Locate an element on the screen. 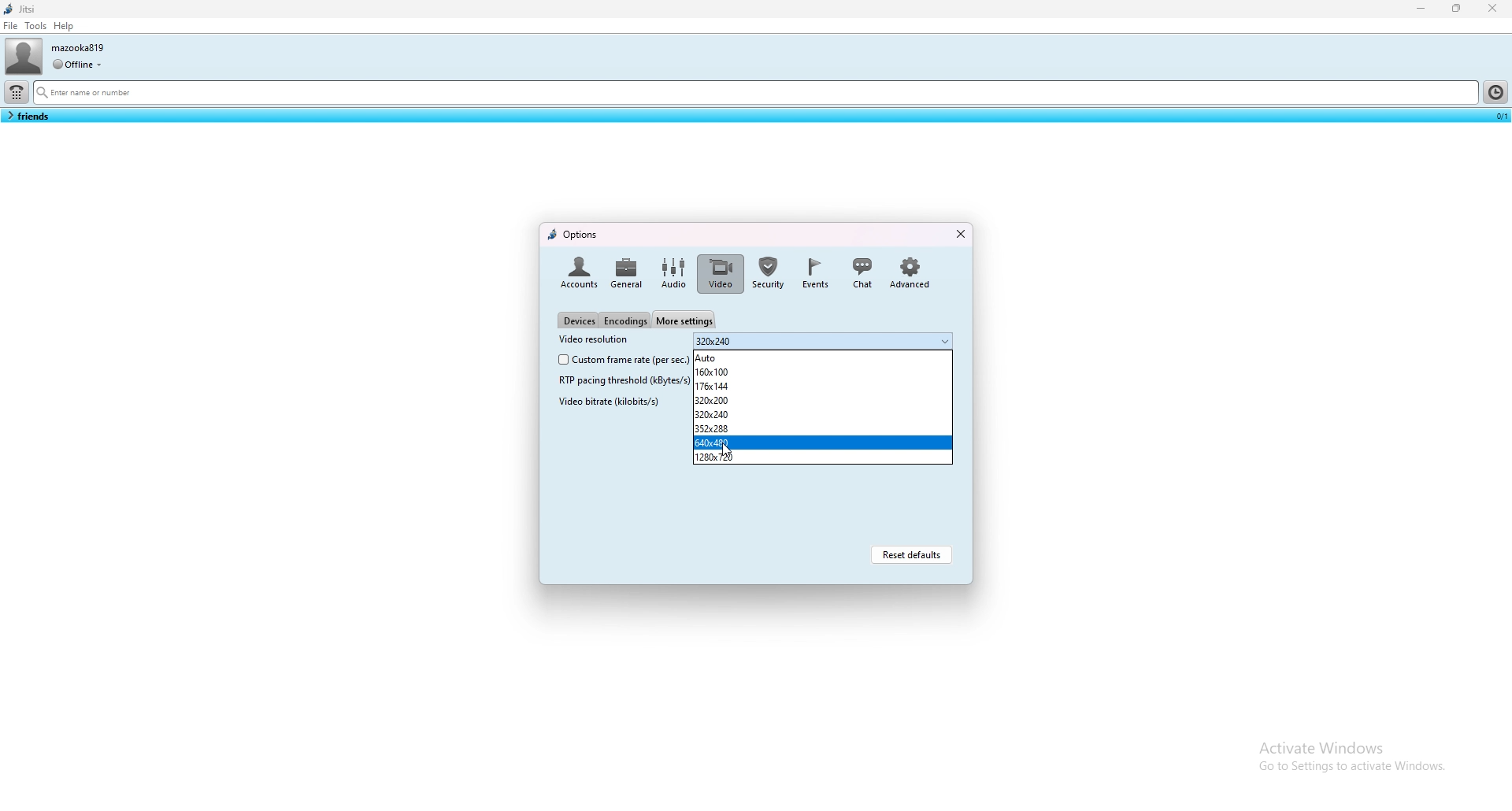  175 by 144 is located at coordinates (822, 386).